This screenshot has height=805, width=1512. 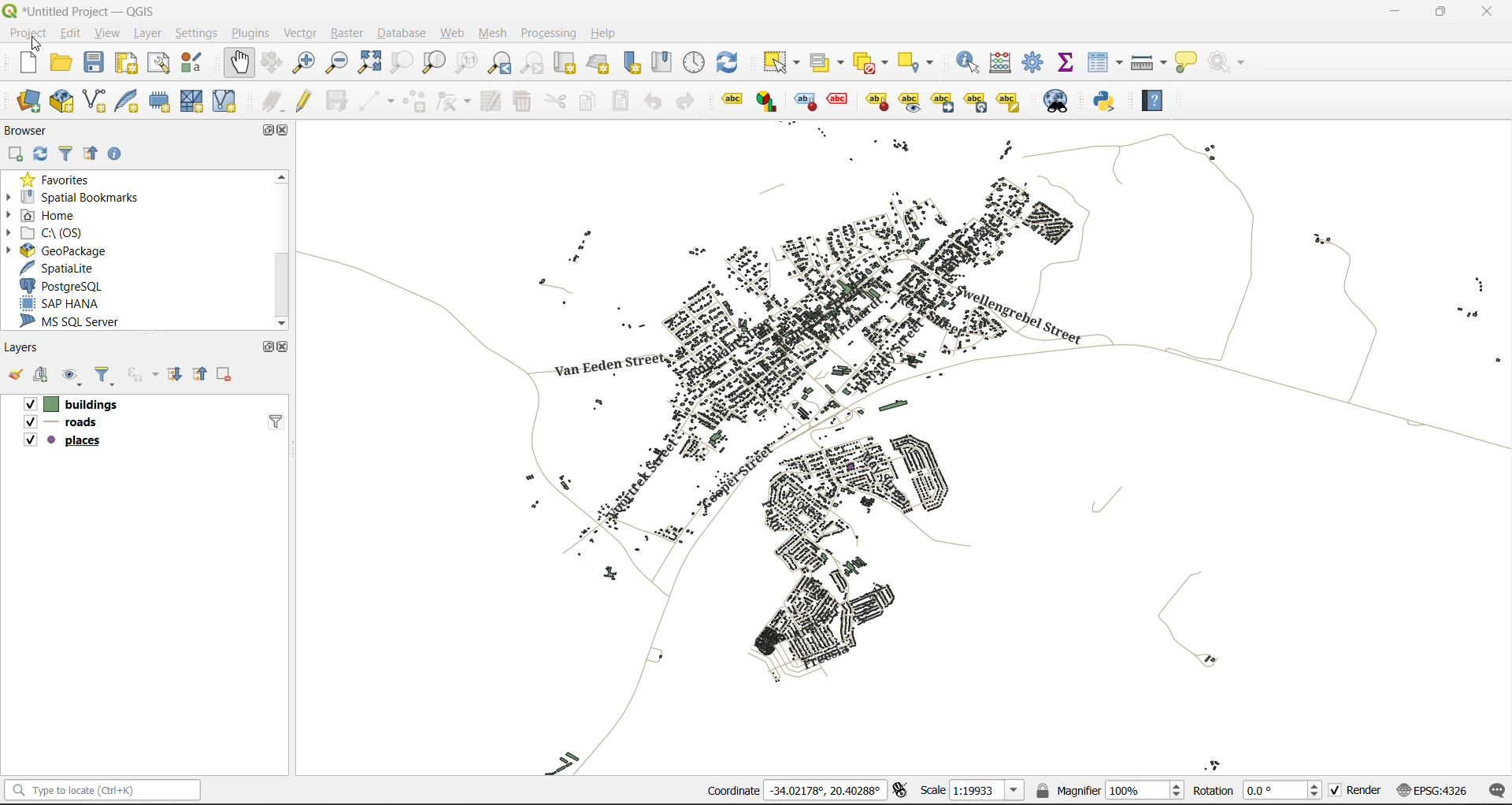 I want to click on manage map, so click(x=72, y=376).